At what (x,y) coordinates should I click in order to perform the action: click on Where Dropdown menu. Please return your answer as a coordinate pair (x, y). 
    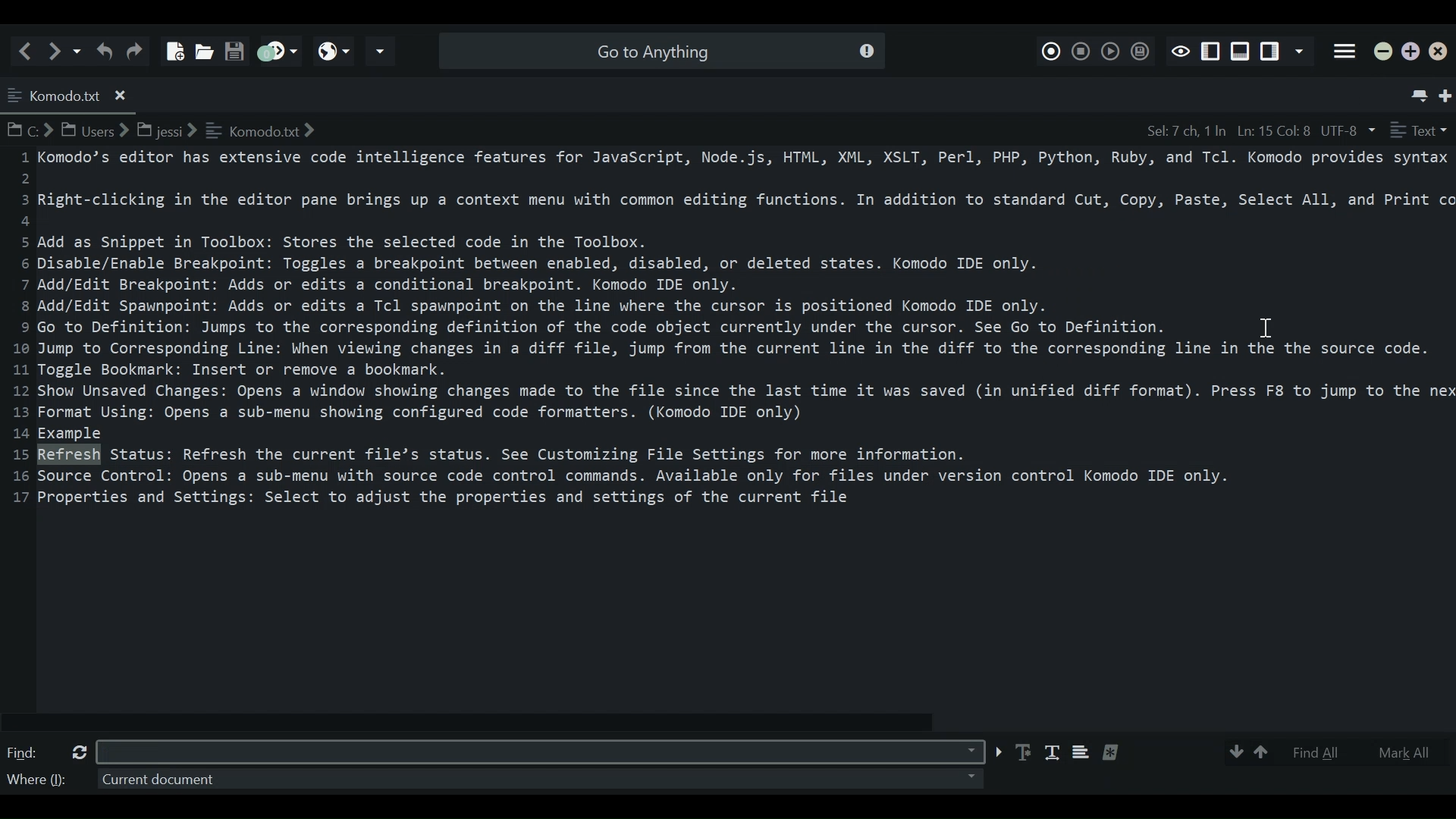
    Looking at the image, I should click on (536, 779).